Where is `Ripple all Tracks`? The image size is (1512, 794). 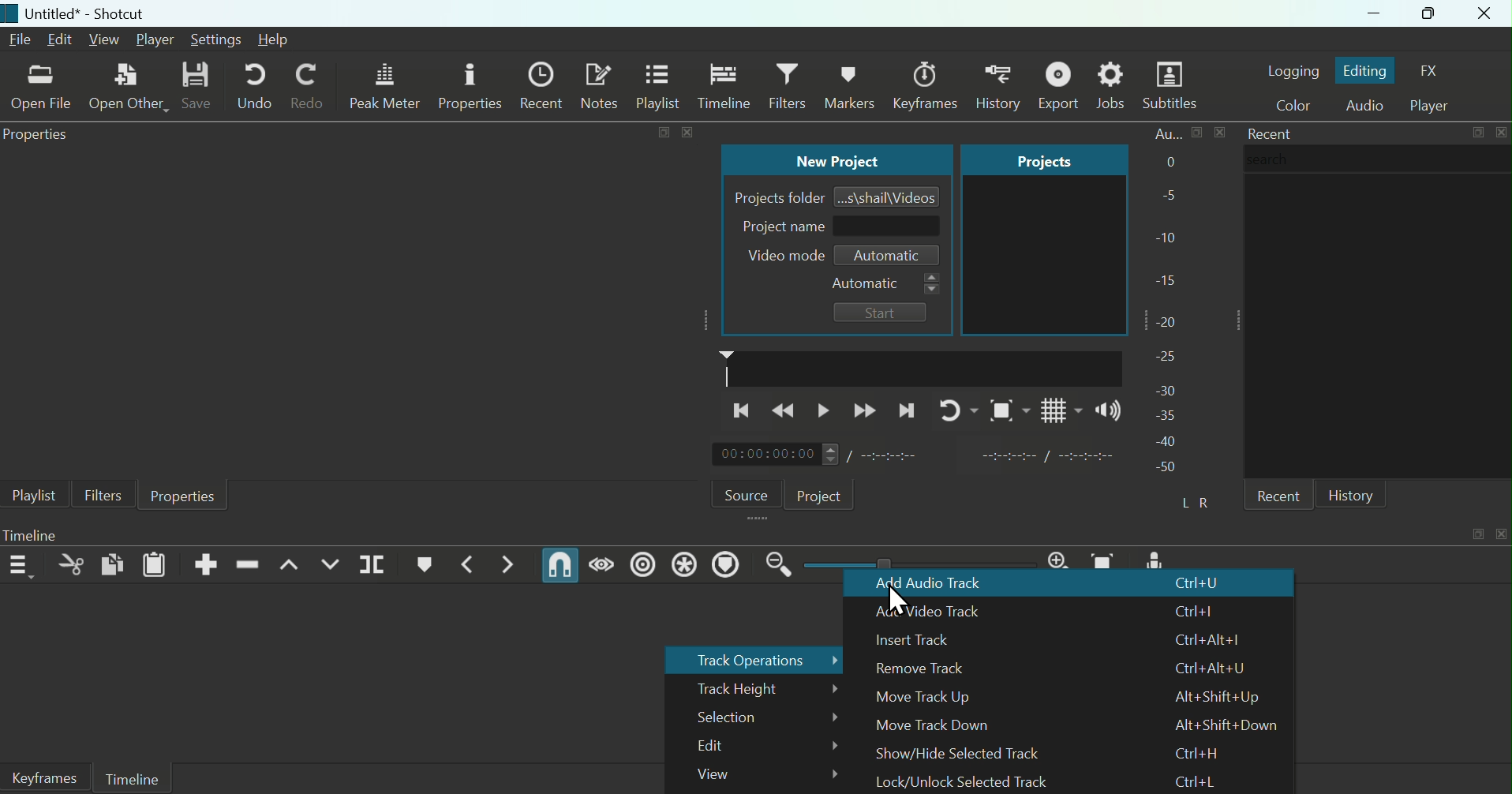
Ripple all Tracks is located at coordinates (684, 564).